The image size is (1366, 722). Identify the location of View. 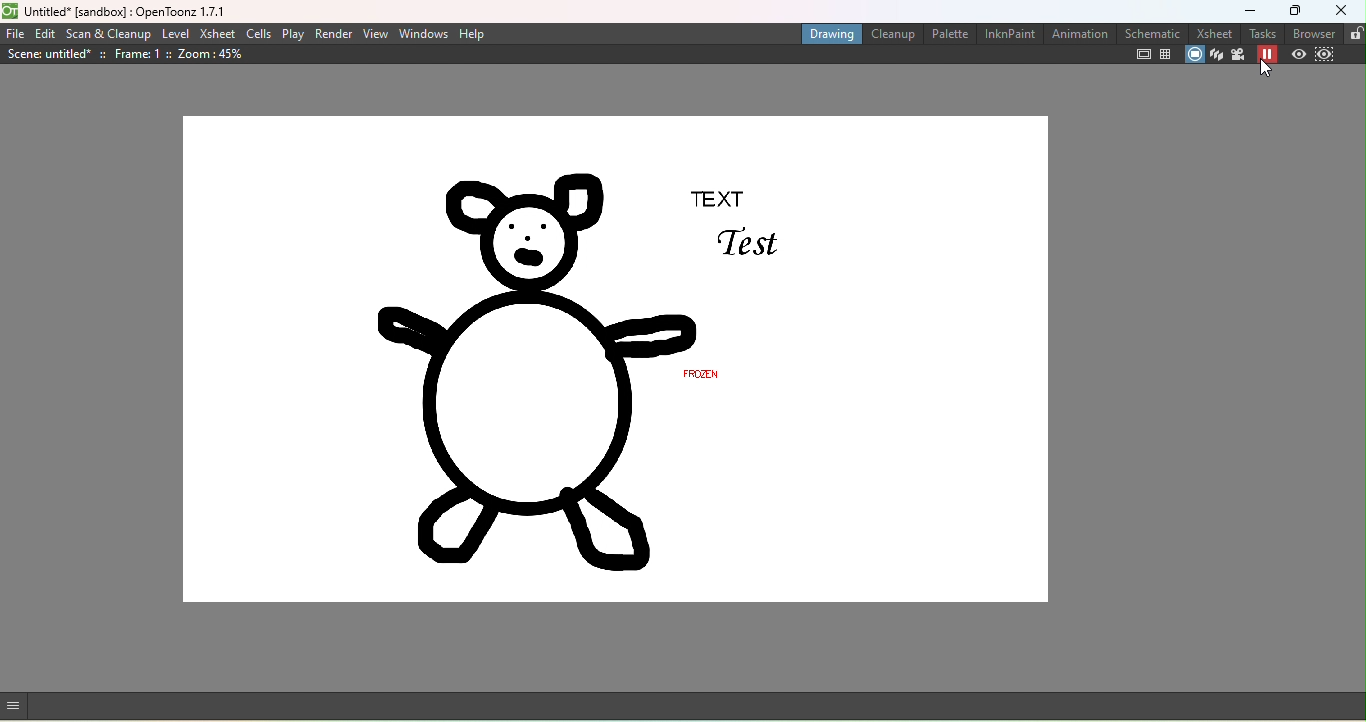
(376, 33).